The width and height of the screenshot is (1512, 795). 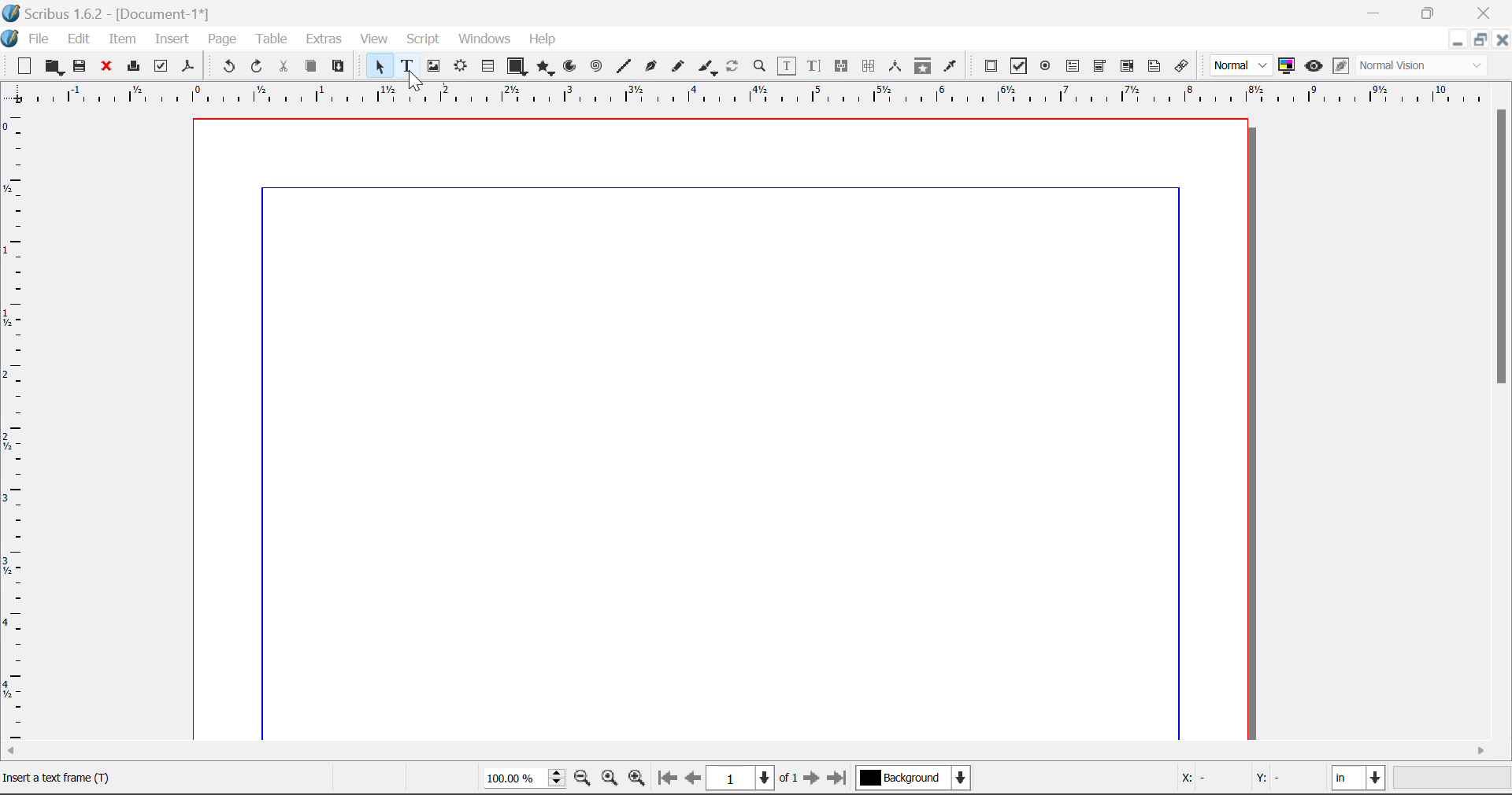 I want to click on Zoom, so click(x=761, y=65).